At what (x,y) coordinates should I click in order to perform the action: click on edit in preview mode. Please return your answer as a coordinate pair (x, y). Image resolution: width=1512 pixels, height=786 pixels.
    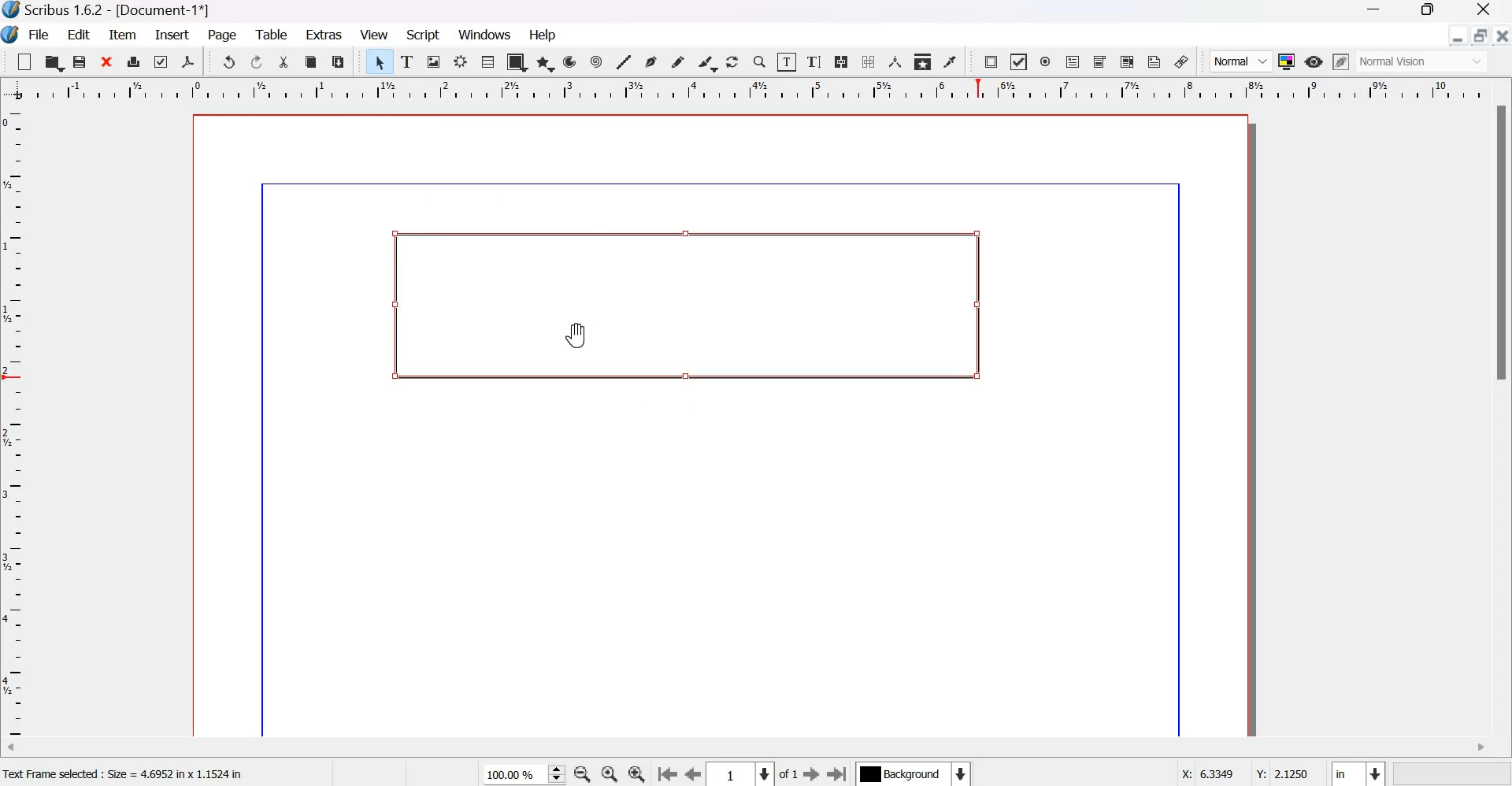
    Looking at the image, I should click on (1341, 61).